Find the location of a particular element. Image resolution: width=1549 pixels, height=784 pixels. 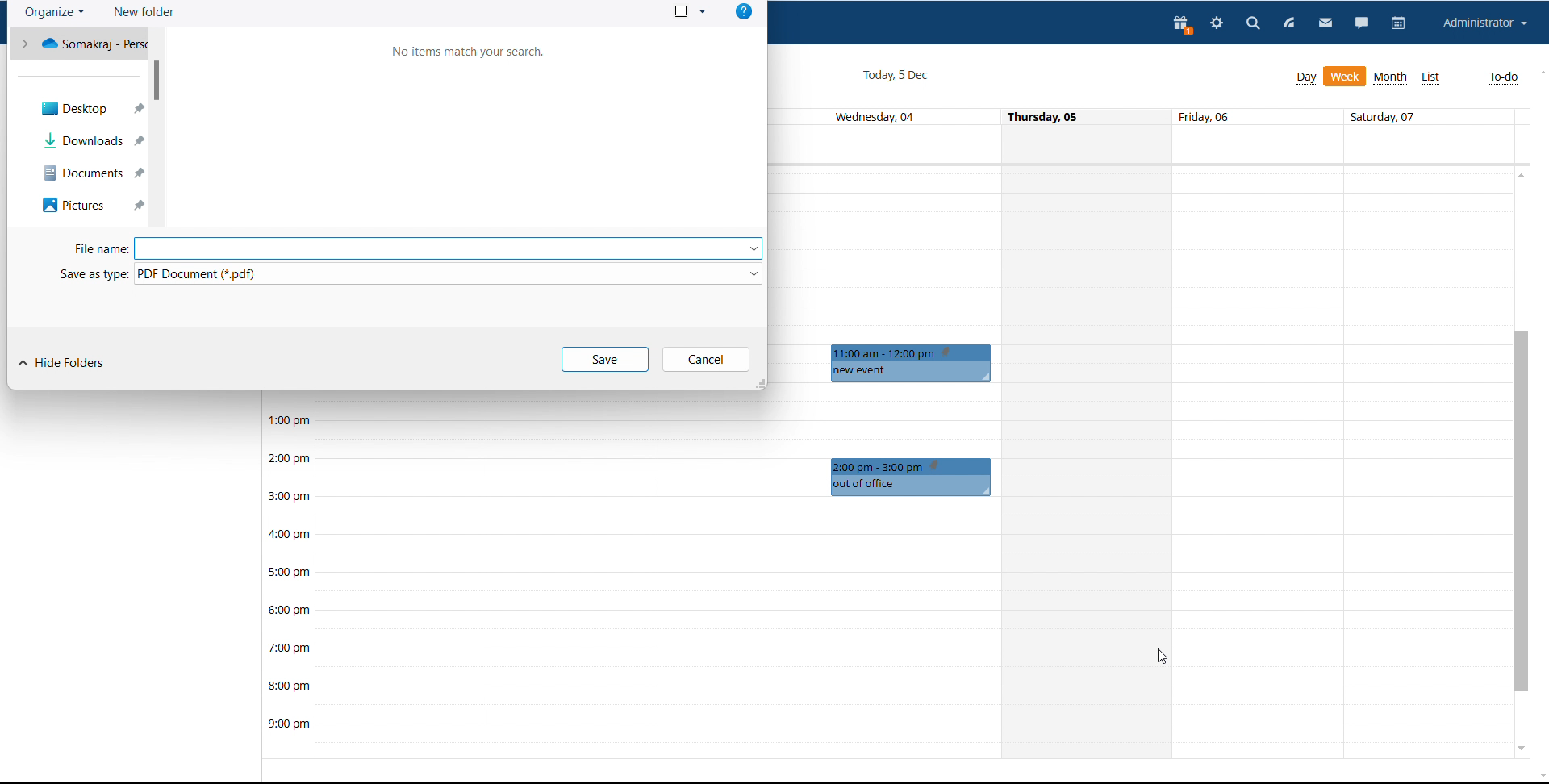

calendar is located at coordinates (1401, 24).